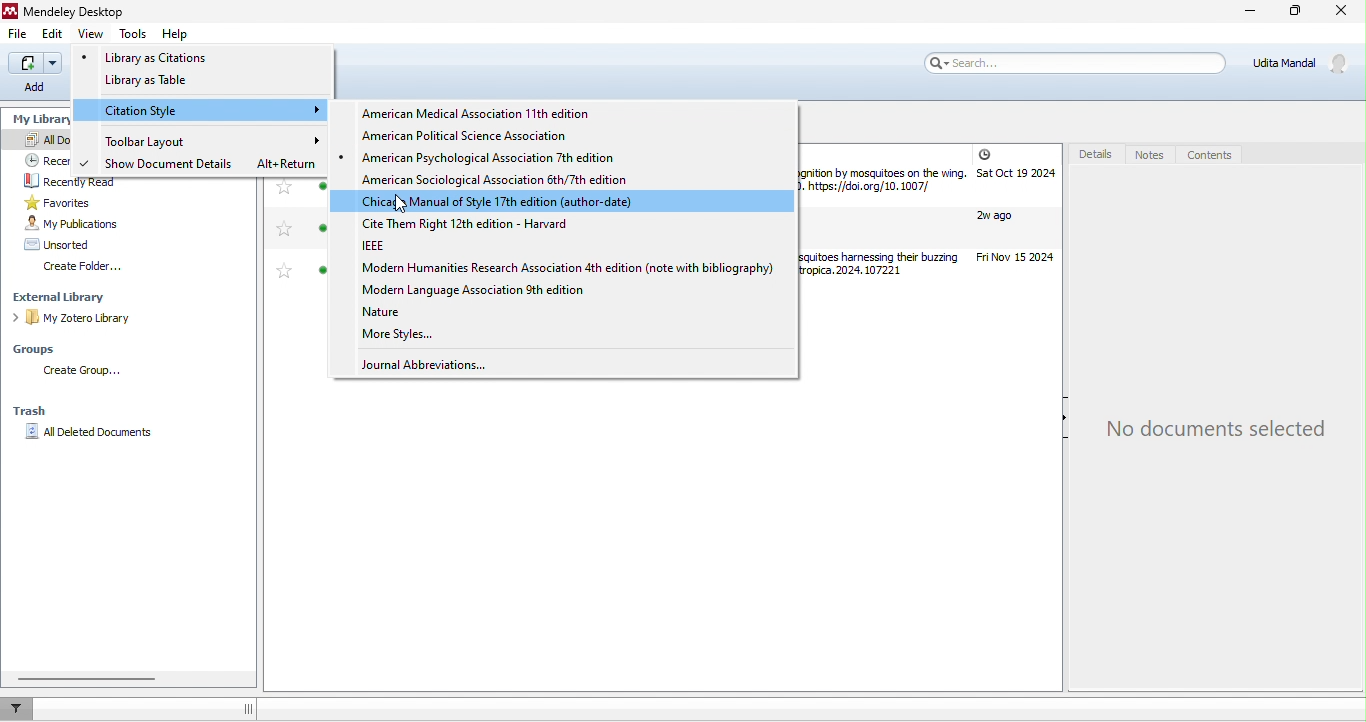  I want to click on contents, so click(1212, 156).